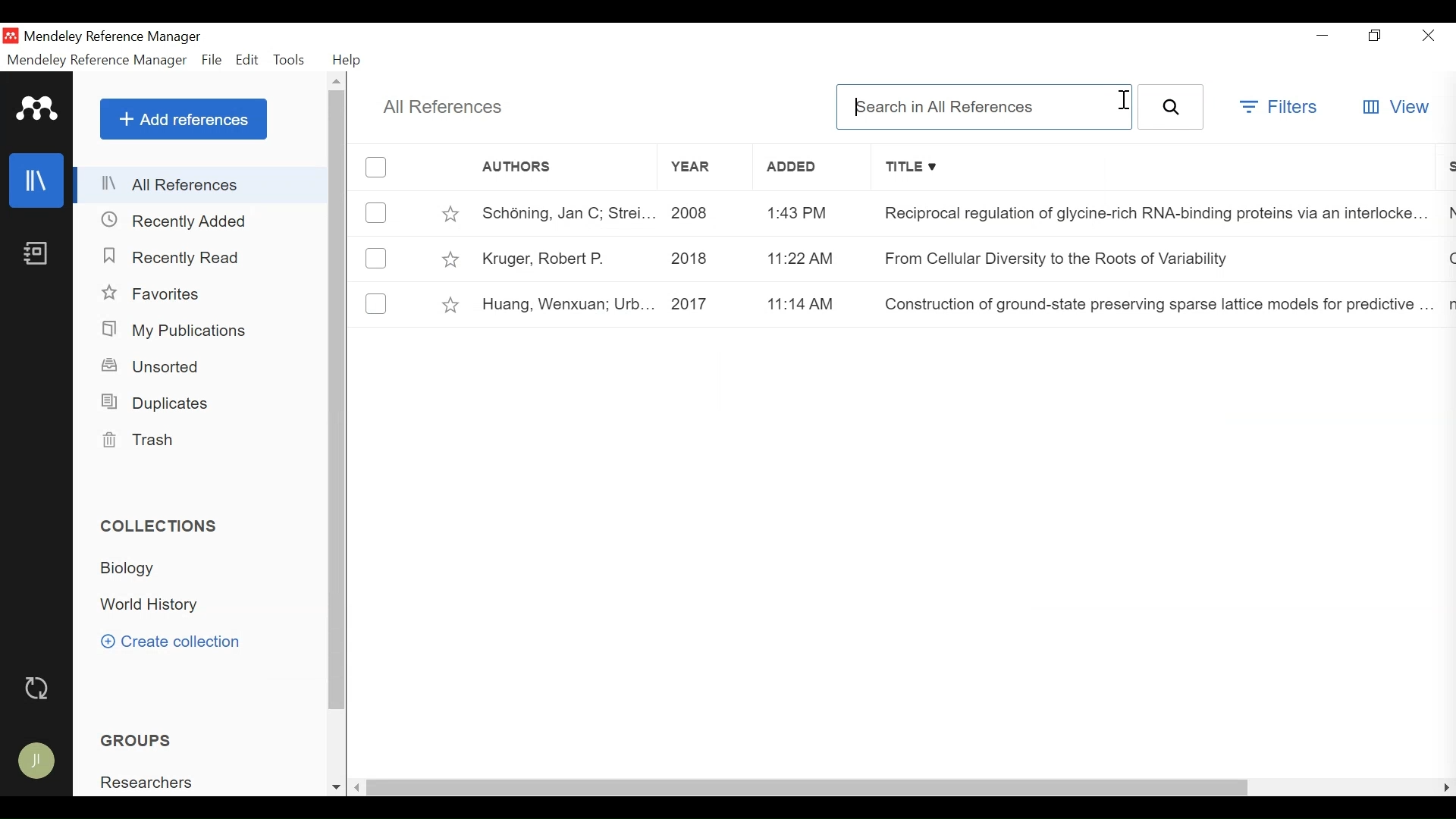  What do you see at coordinates (162, 403) in the screenshot?
I see `Duplicates` at bounding box center [162, 403].